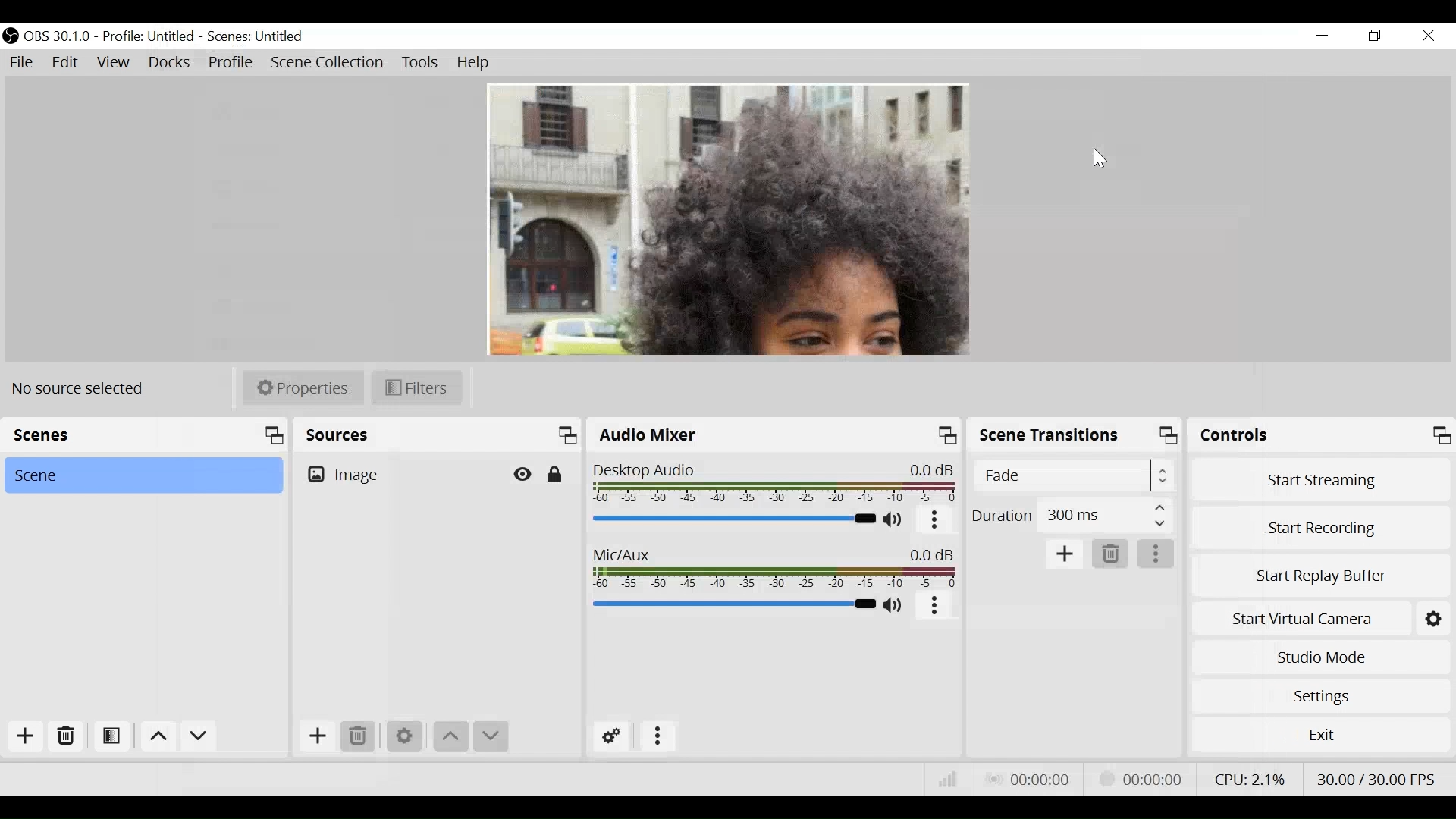 The width and height of the screenshot is (1456, 819). Describe the element at coordinates (1432, 617) in the screenshot. I see `Settings` at that location.